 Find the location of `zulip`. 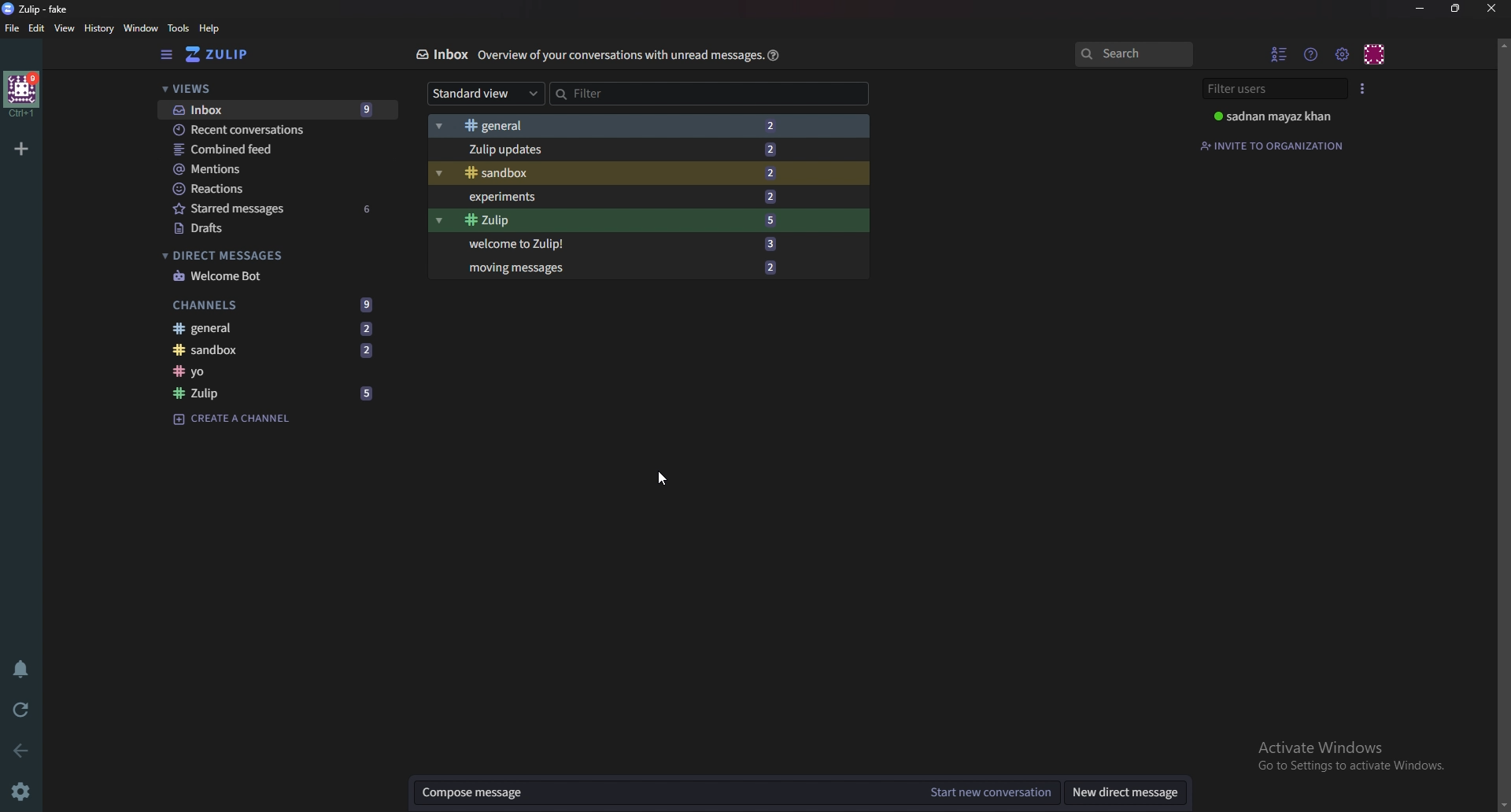

zulip is located at coordinates (39, 8).